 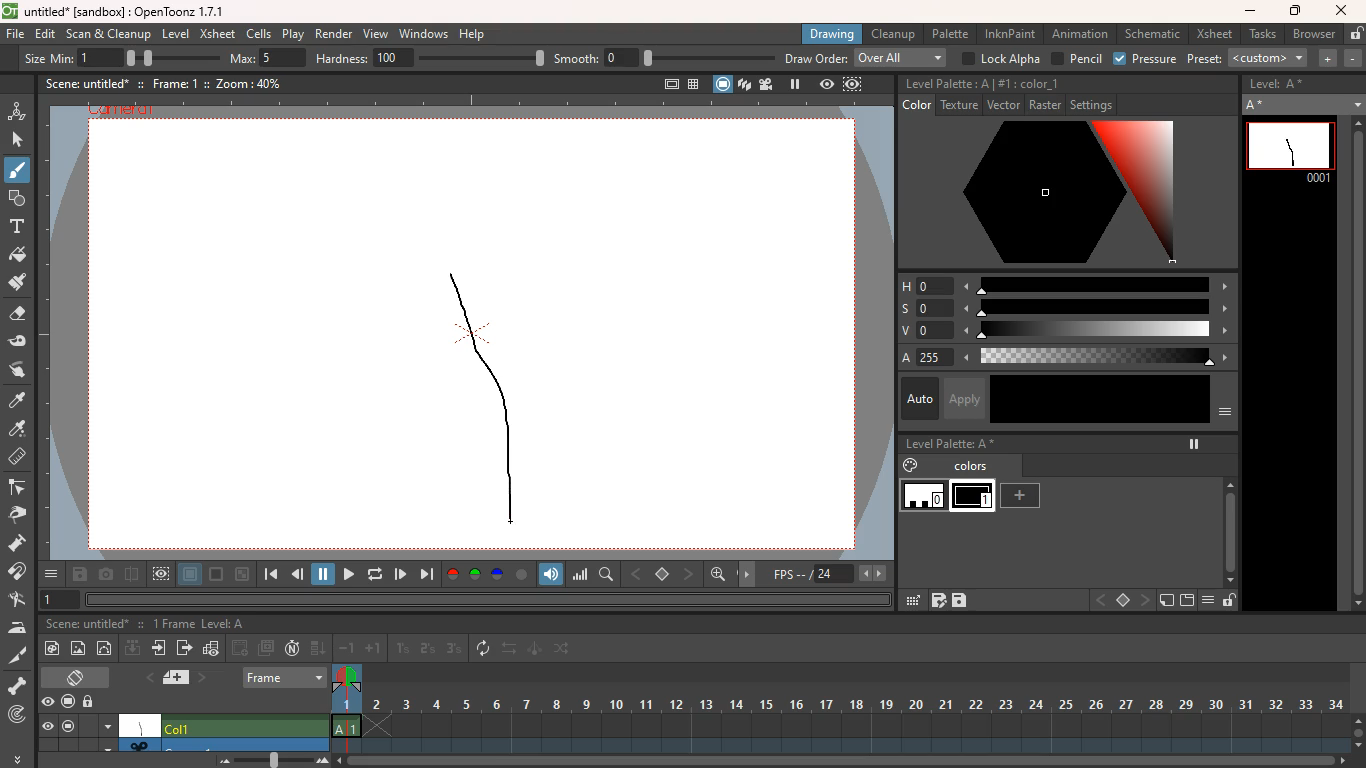 I want to click on windows, so click(x=423, y=34).